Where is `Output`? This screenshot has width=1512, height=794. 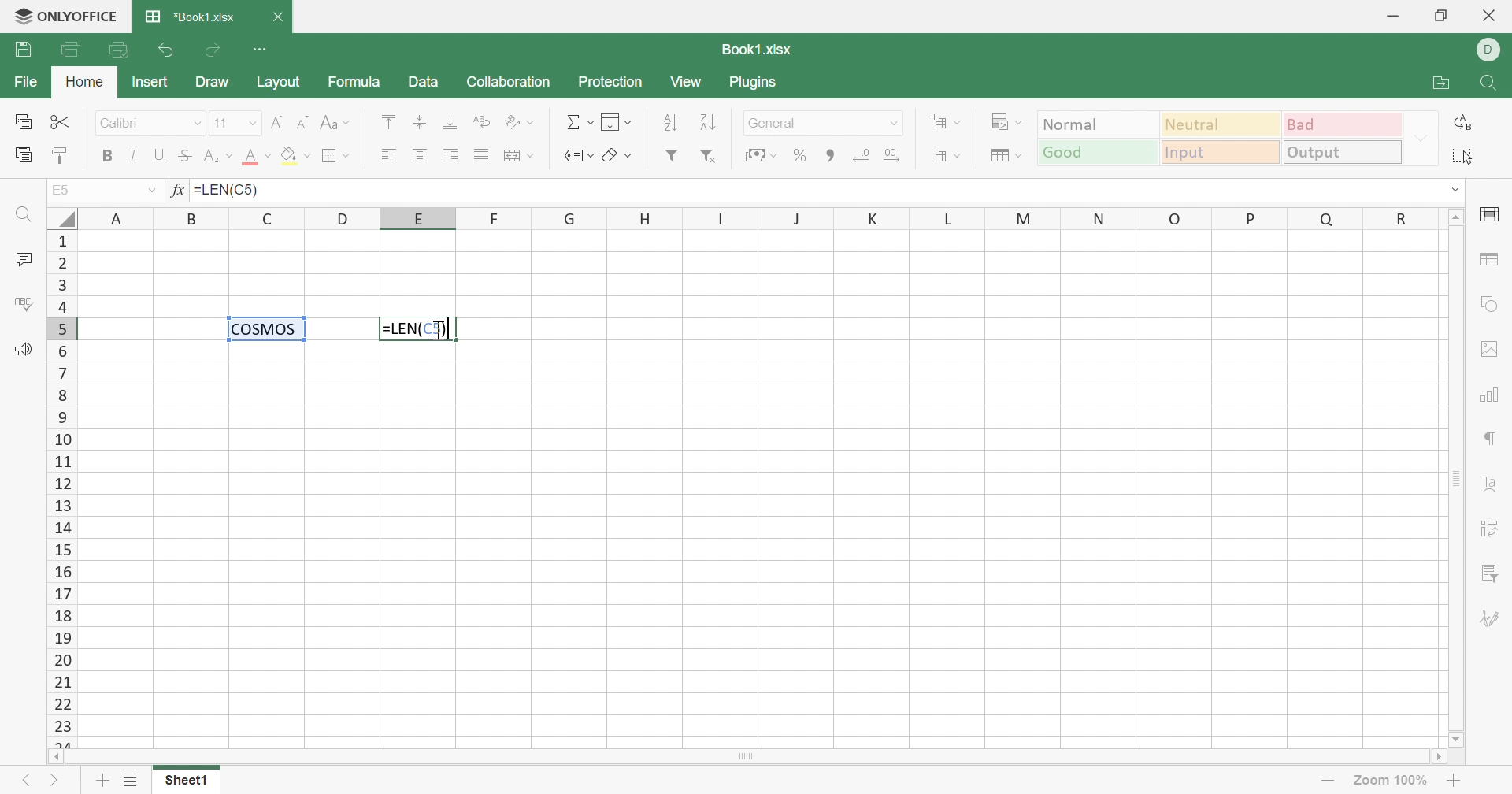 Output is located at coordinates (1341, 151).